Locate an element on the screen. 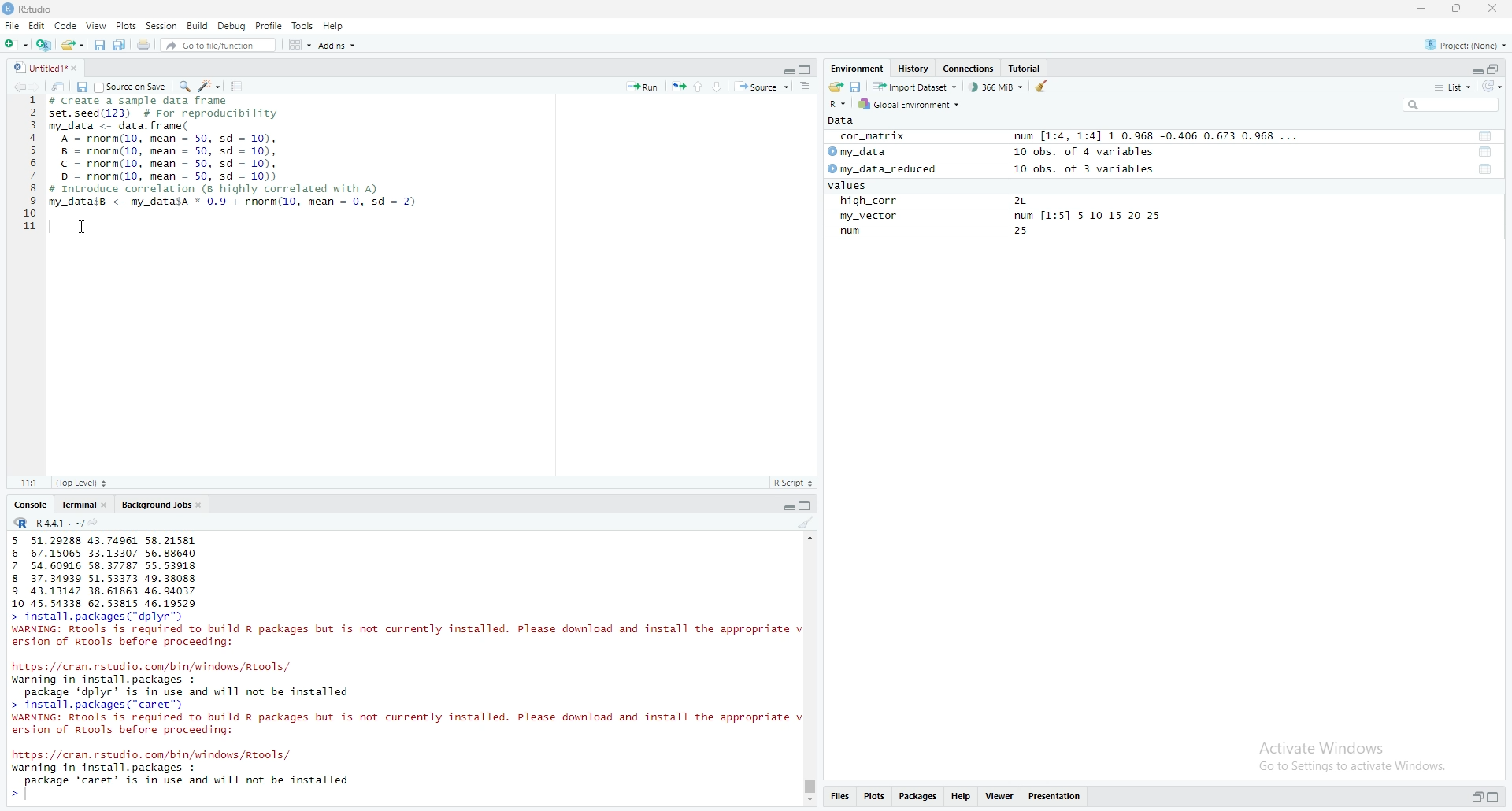 This screenshot has width=1512, height=811. forward is located at coordinates (39, 87).